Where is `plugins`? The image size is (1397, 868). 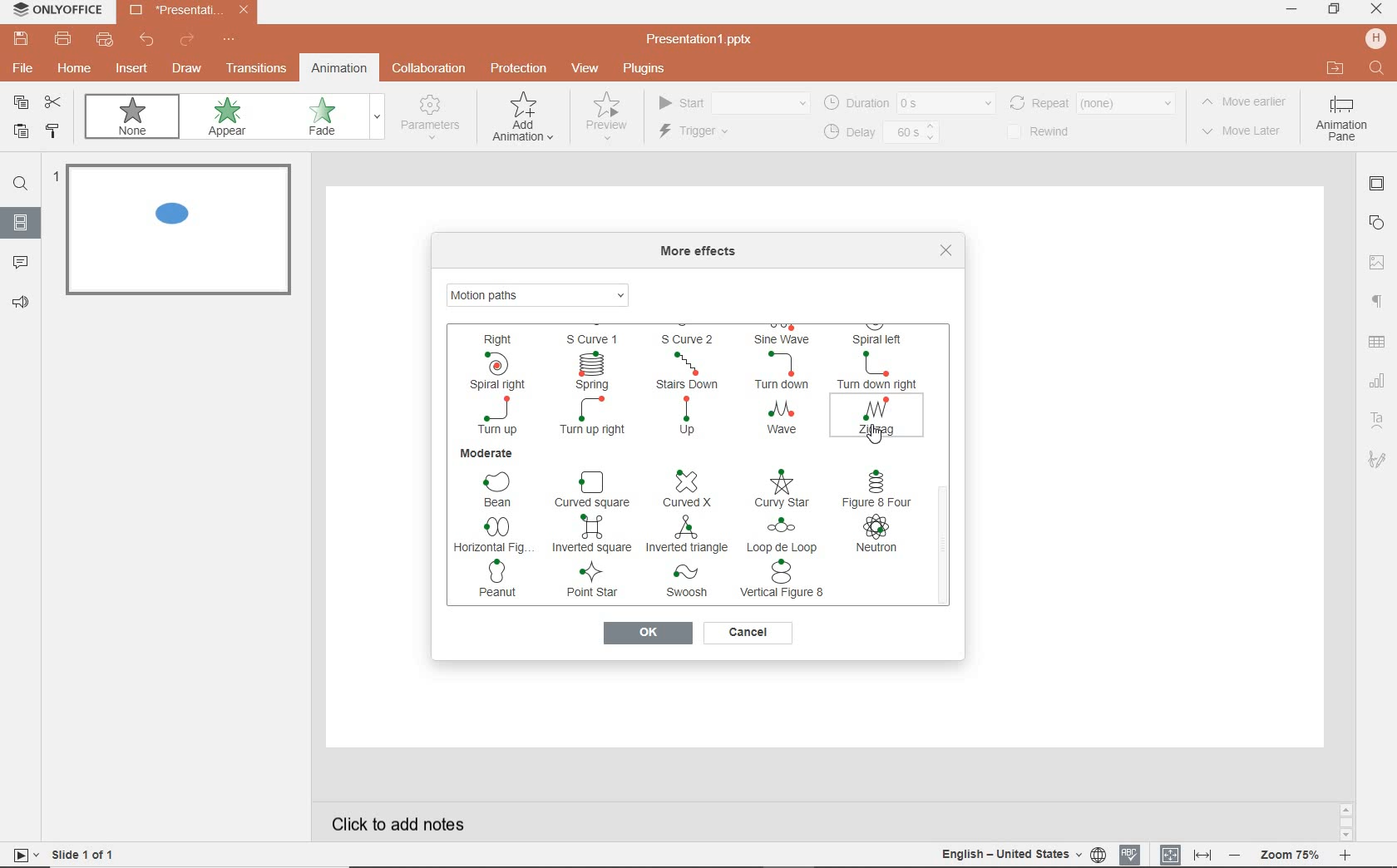
plugins is located at coordinates (653, 69).